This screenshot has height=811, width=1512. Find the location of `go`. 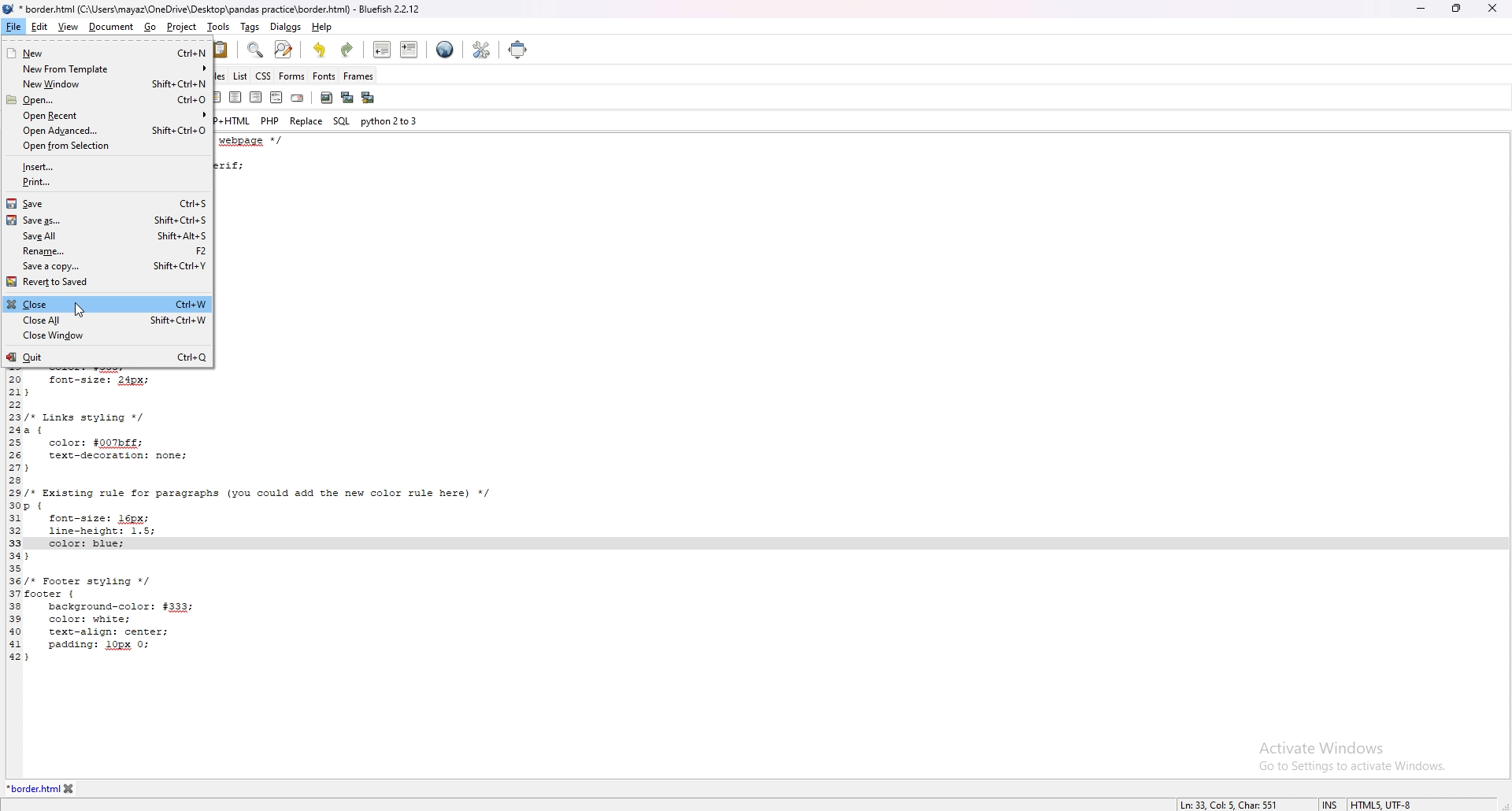

go is located at coordinates (151, 26).